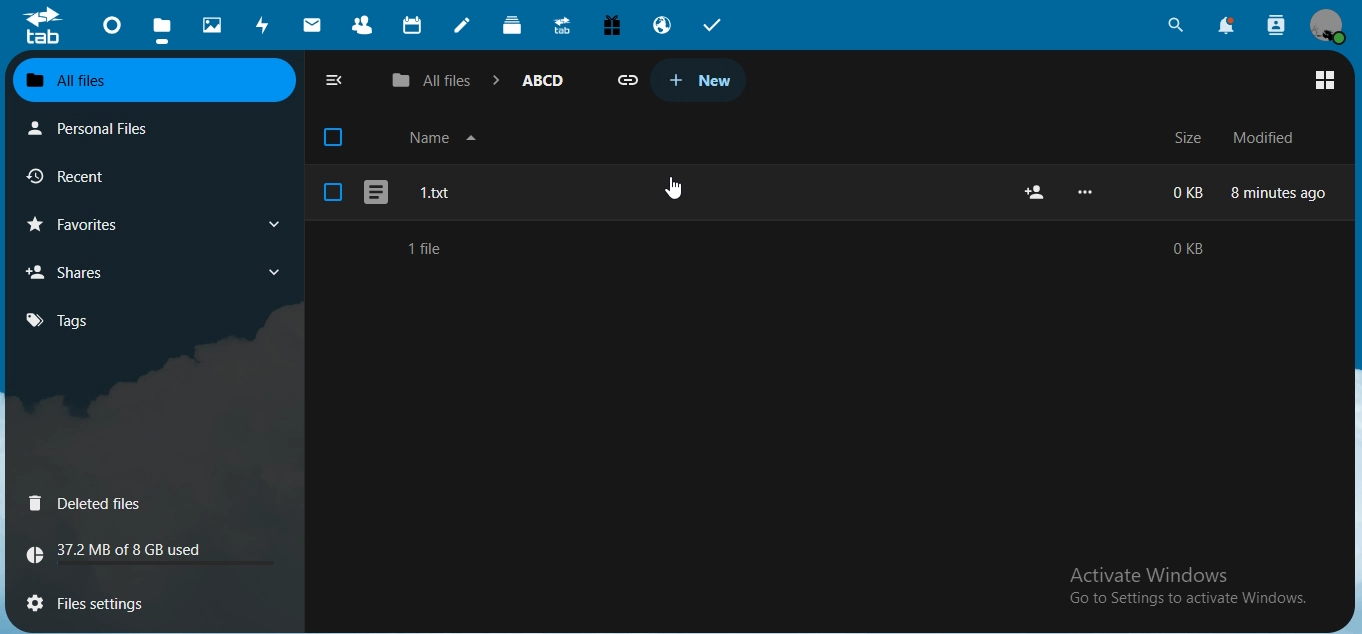 The image size is (1362, 634). I want to click on 1.txt, so click(489, 193).